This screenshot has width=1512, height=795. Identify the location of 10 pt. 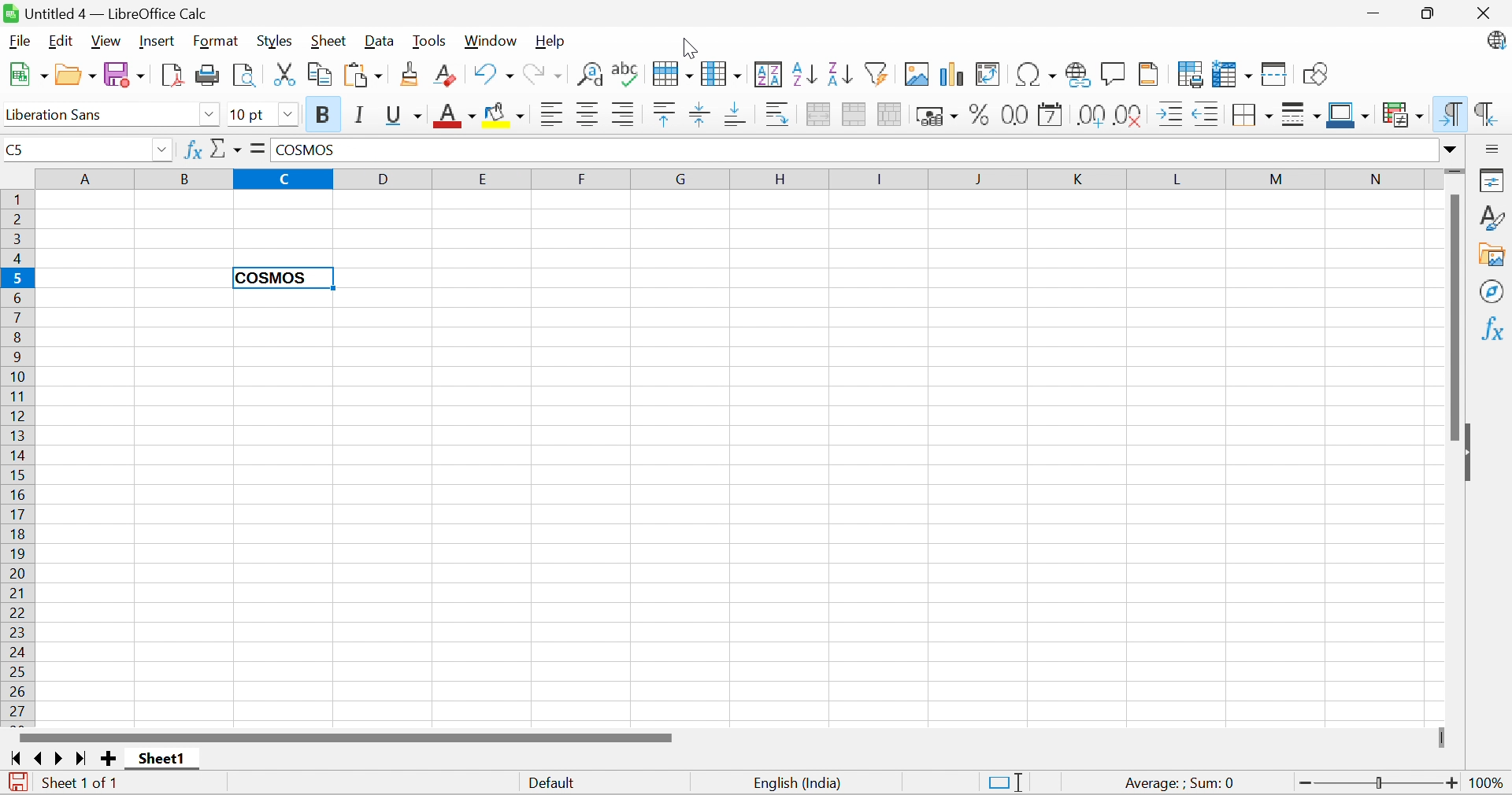
(251, 115).